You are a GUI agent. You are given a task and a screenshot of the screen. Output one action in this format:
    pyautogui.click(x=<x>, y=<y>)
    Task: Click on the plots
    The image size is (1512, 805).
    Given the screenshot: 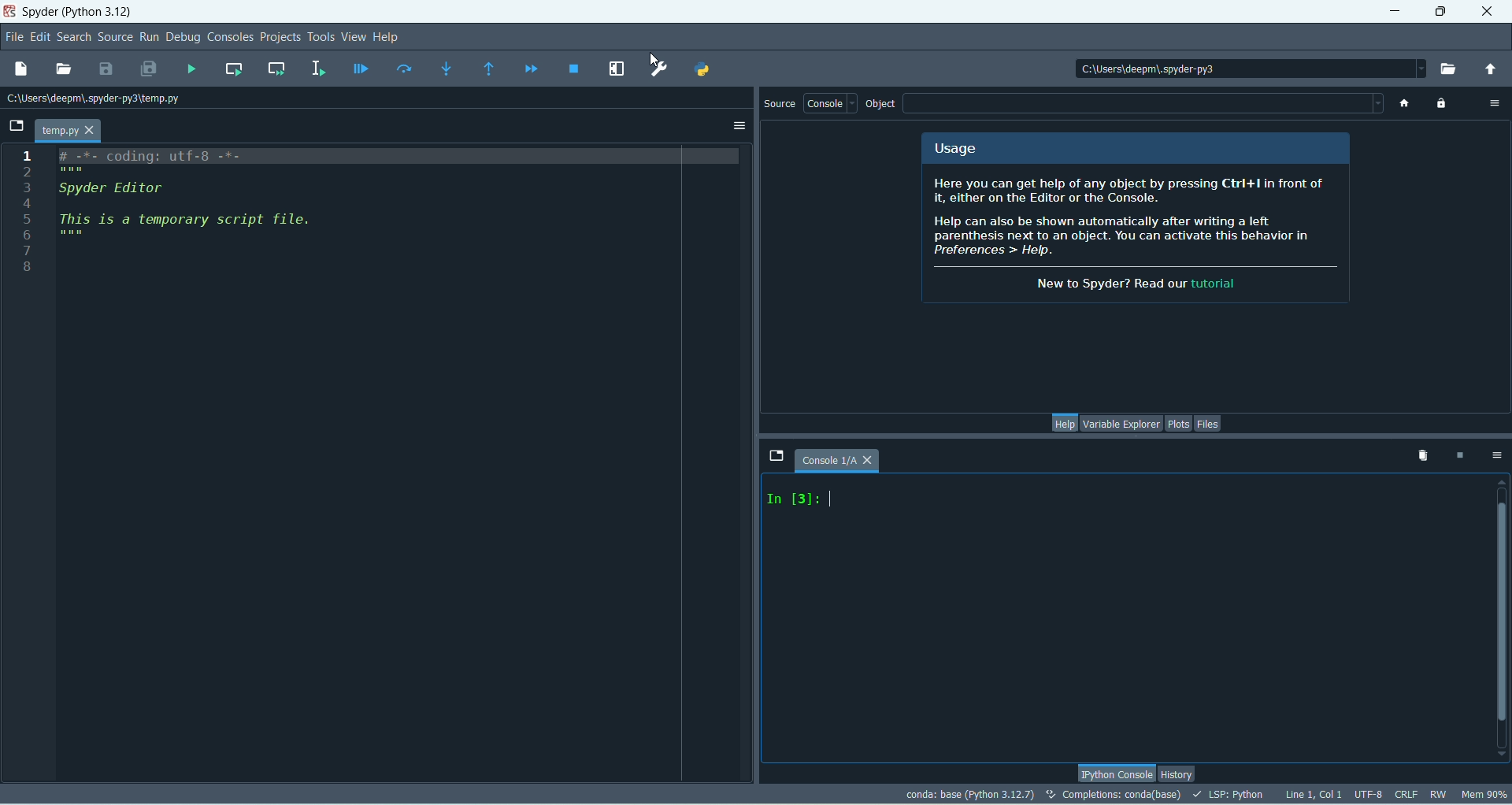 What is the action you would take?
    pyautogui.click(x=1179, y=424)
    